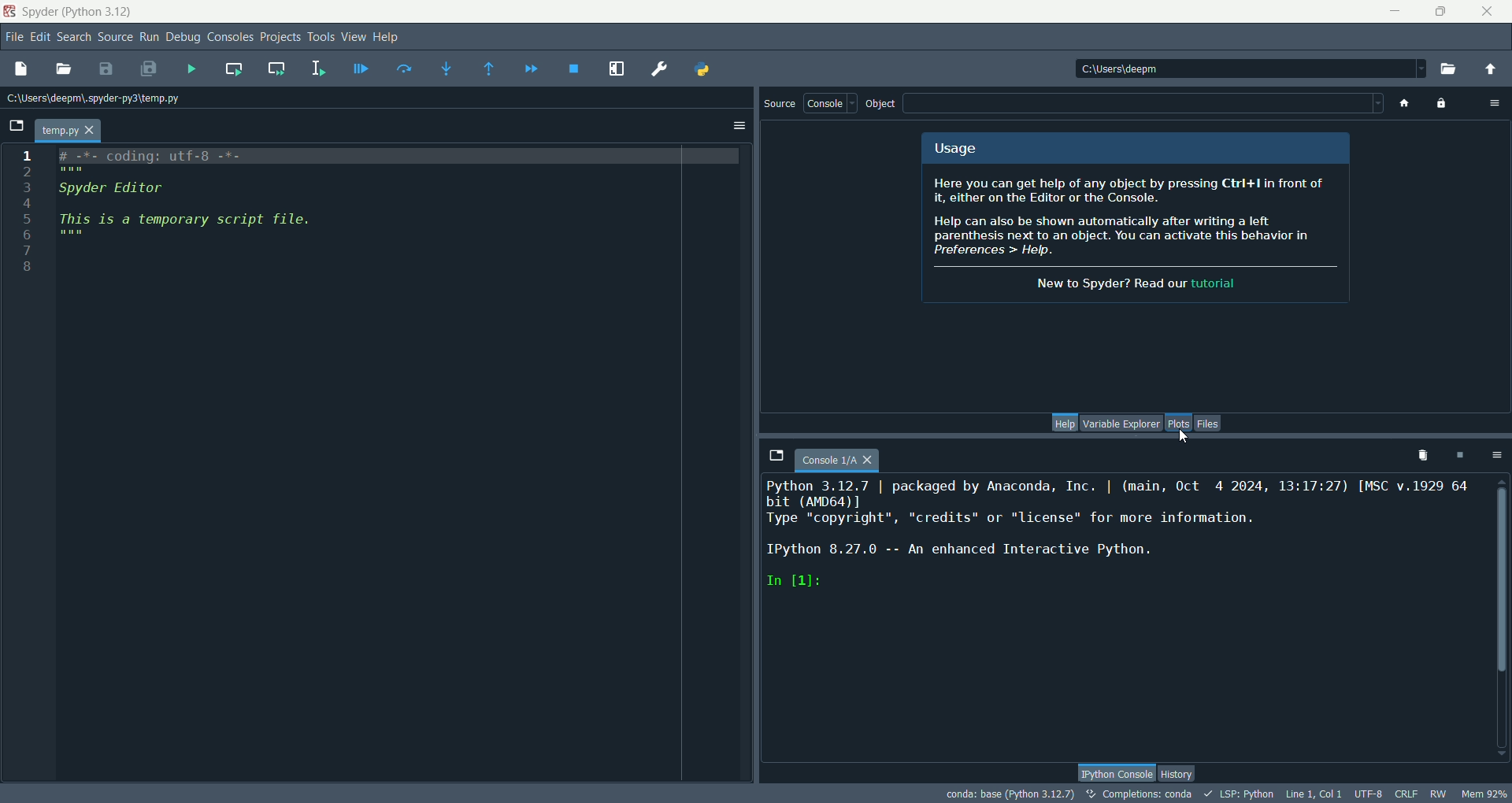 This screenshot has height=803, width=1512. Describe the element at coordinates (1442, 10) in the screenshot. I see `maximize` at that location.